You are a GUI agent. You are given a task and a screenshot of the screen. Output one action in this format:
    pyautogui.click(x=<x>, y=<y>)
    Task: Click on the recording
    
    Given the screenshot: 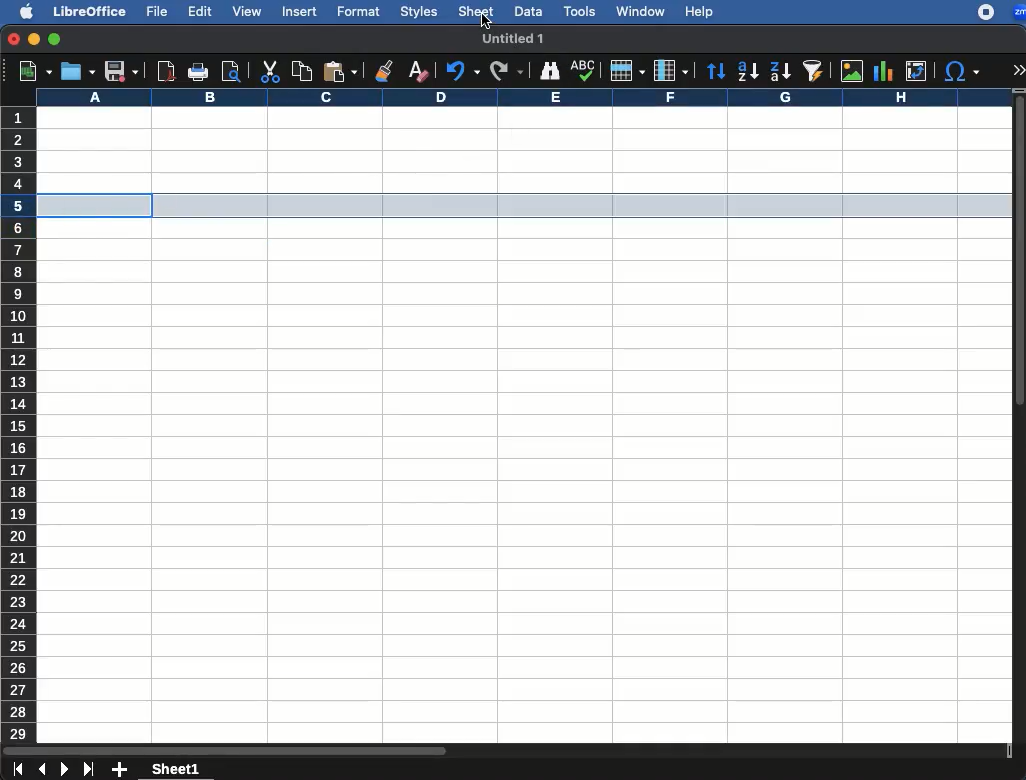 What is the action you would take?
    pyautogui.click(x=980, y=13)
    